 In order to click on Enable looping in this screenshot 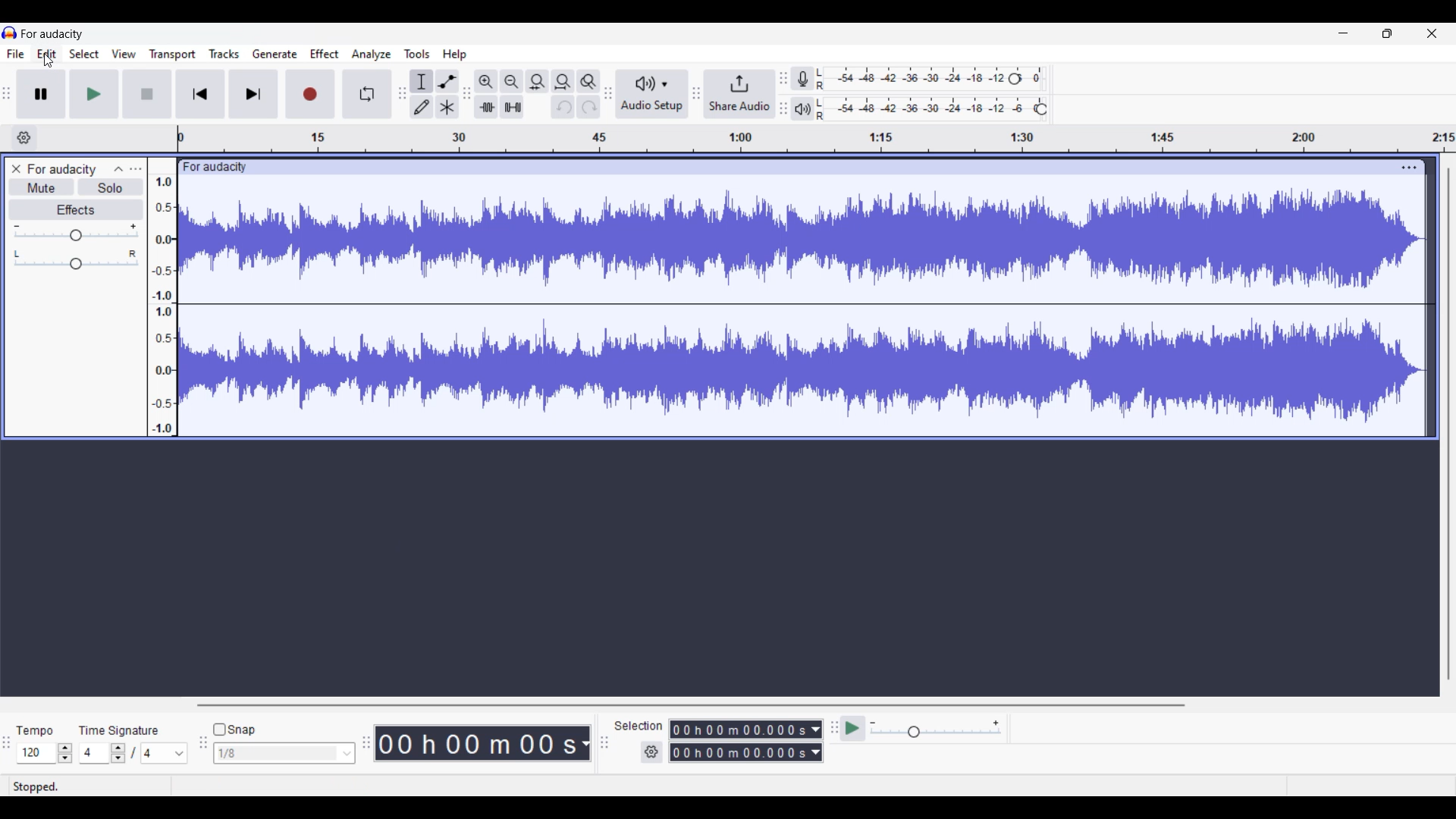, I will do `click(366, 94)`.